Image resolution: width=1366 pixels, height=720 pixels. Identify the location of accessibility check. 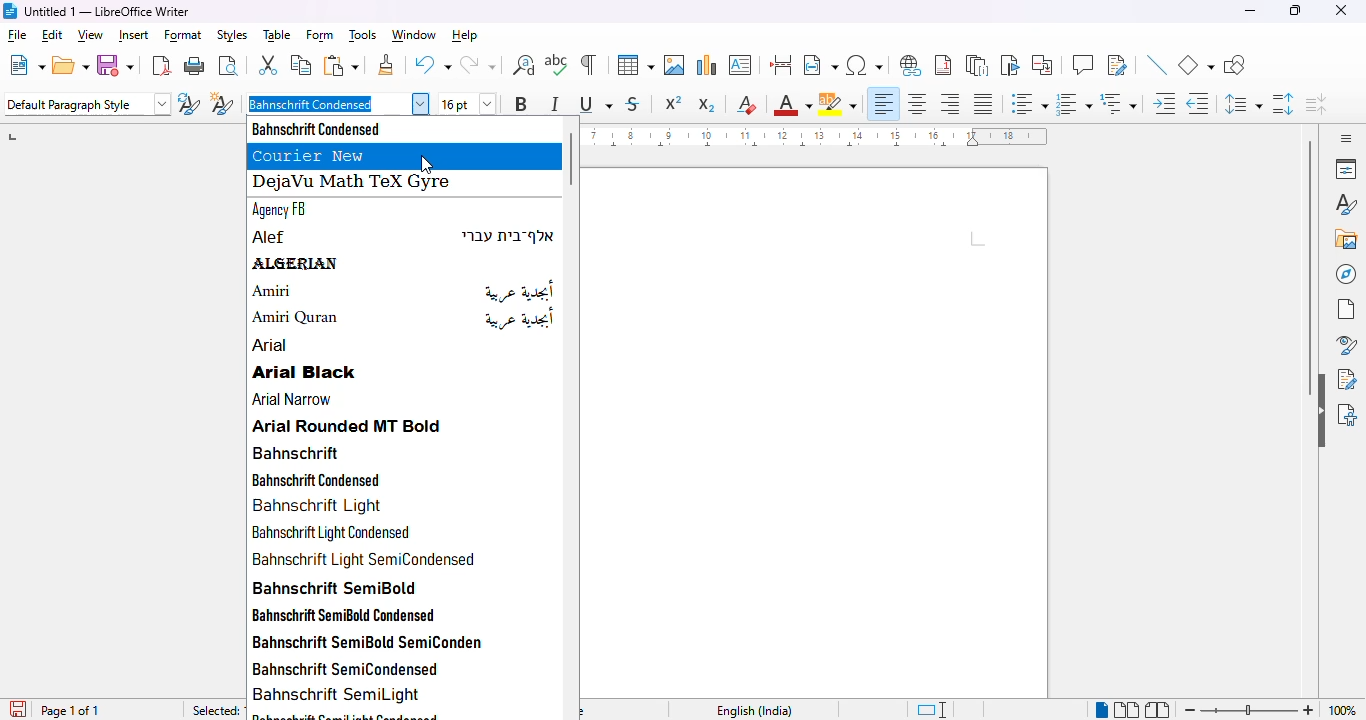
(1347, 413).